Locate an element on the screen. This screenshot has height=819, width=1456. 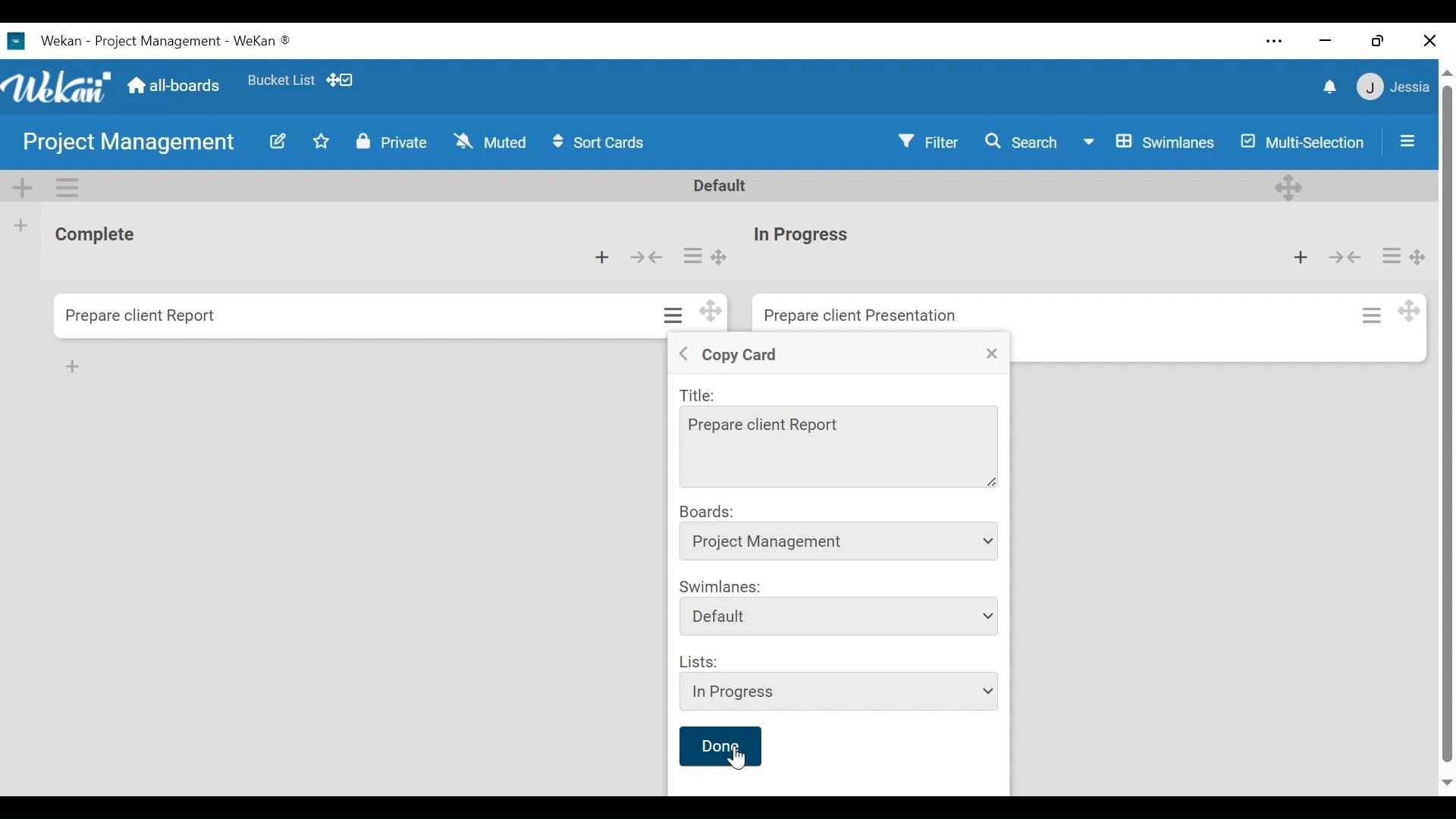
Collapse is located at coordinates (1353, 257).